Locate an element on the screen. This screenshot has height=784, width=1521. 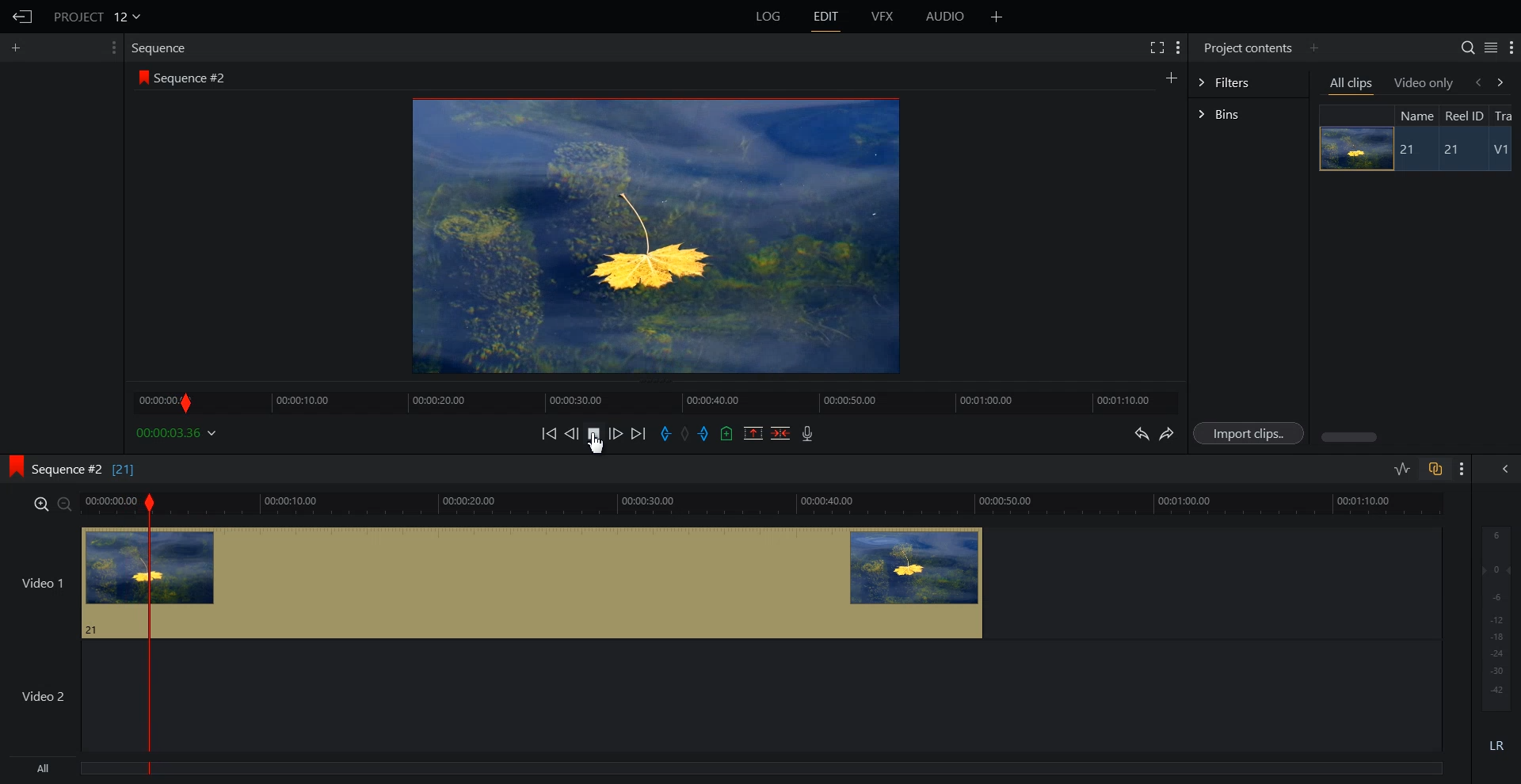
Video 2 is located at coordinates (721, 696).